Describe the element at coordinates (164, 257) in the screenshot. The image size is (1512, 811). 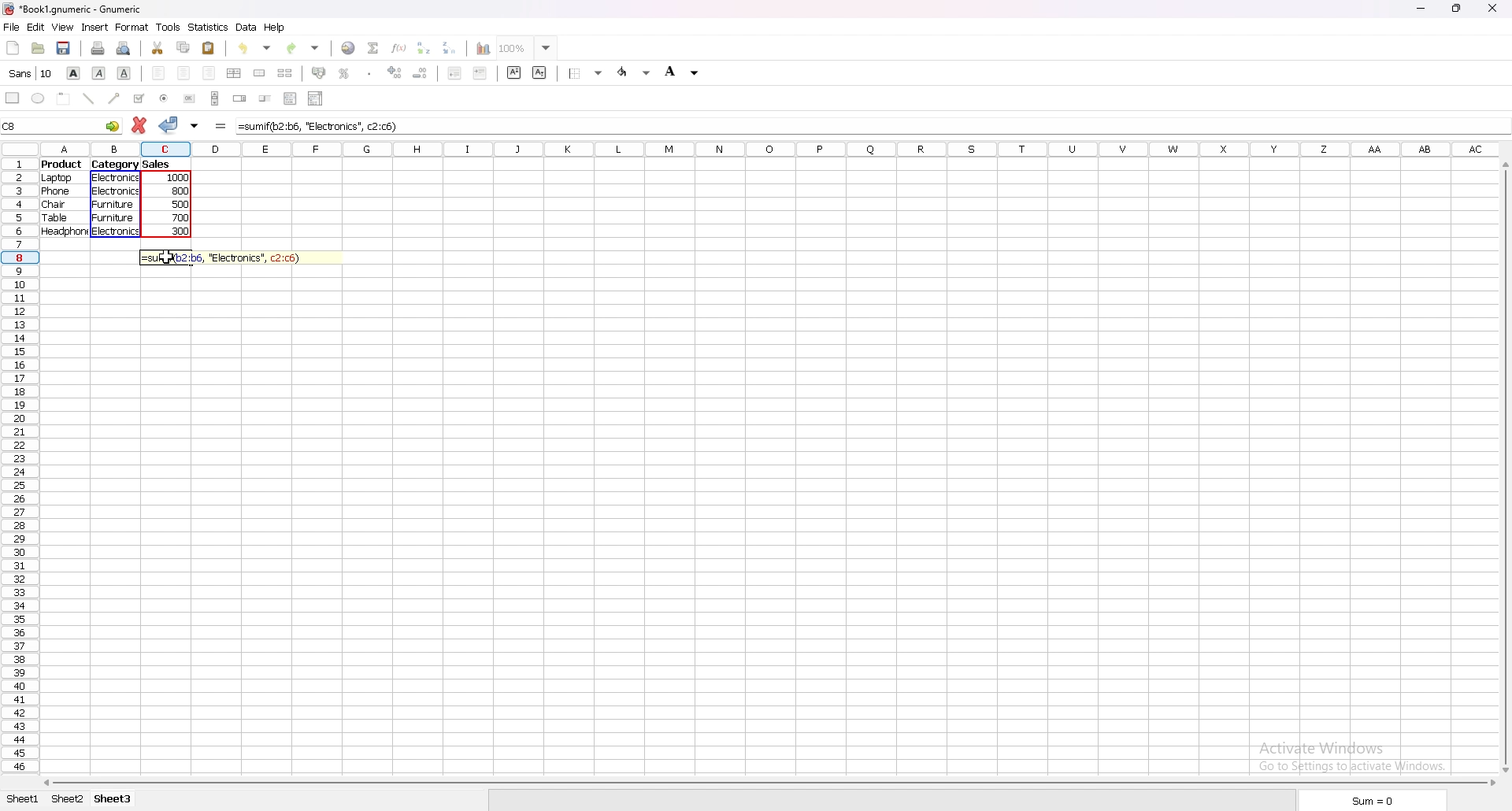
I see `cursor` at that location.